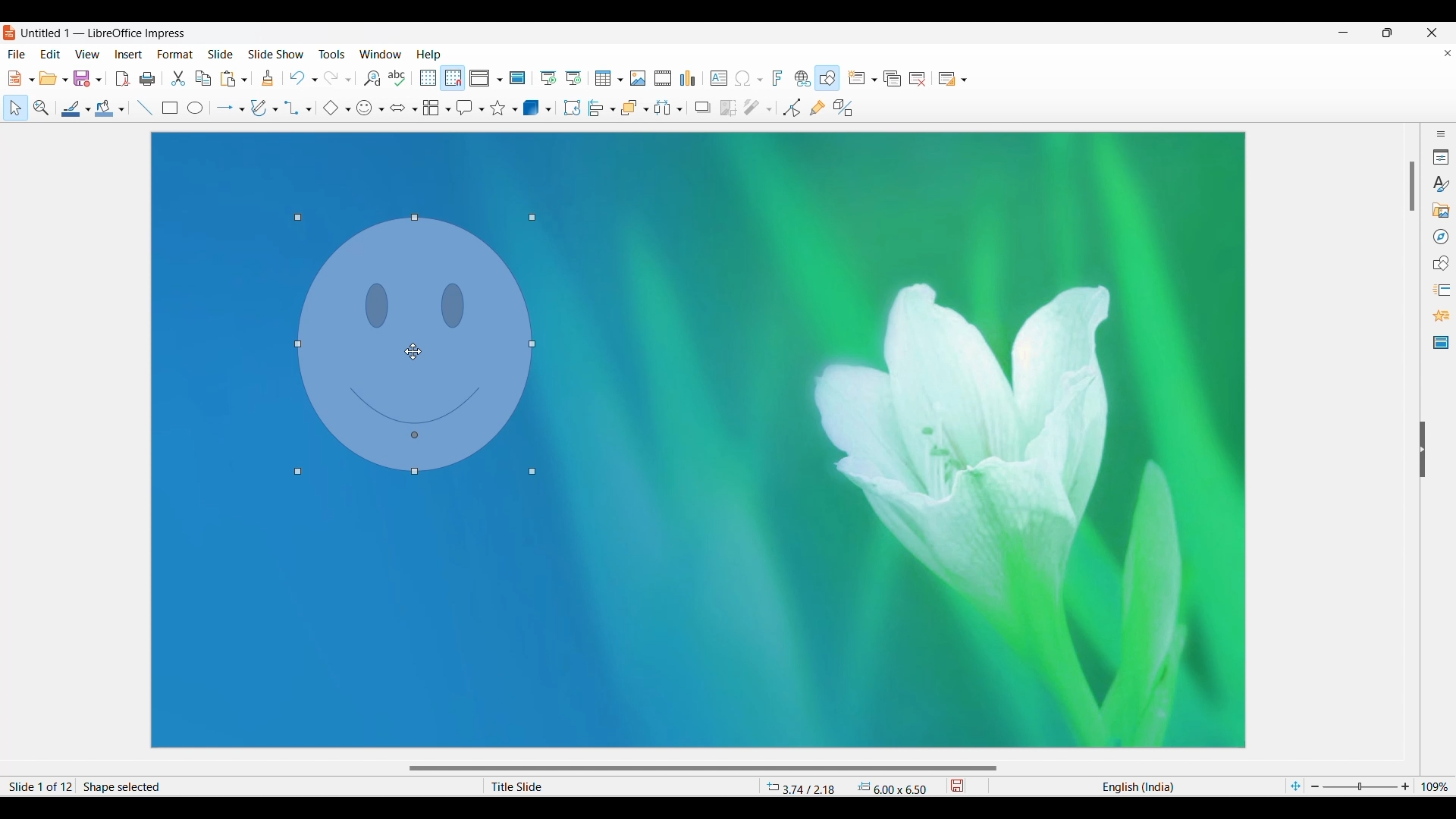 Image resolution: width=1456 pixels, height=819 pixels. Describe the element at coordinates (918, 79) in the screenshot. I see `Delete slide` at that location.